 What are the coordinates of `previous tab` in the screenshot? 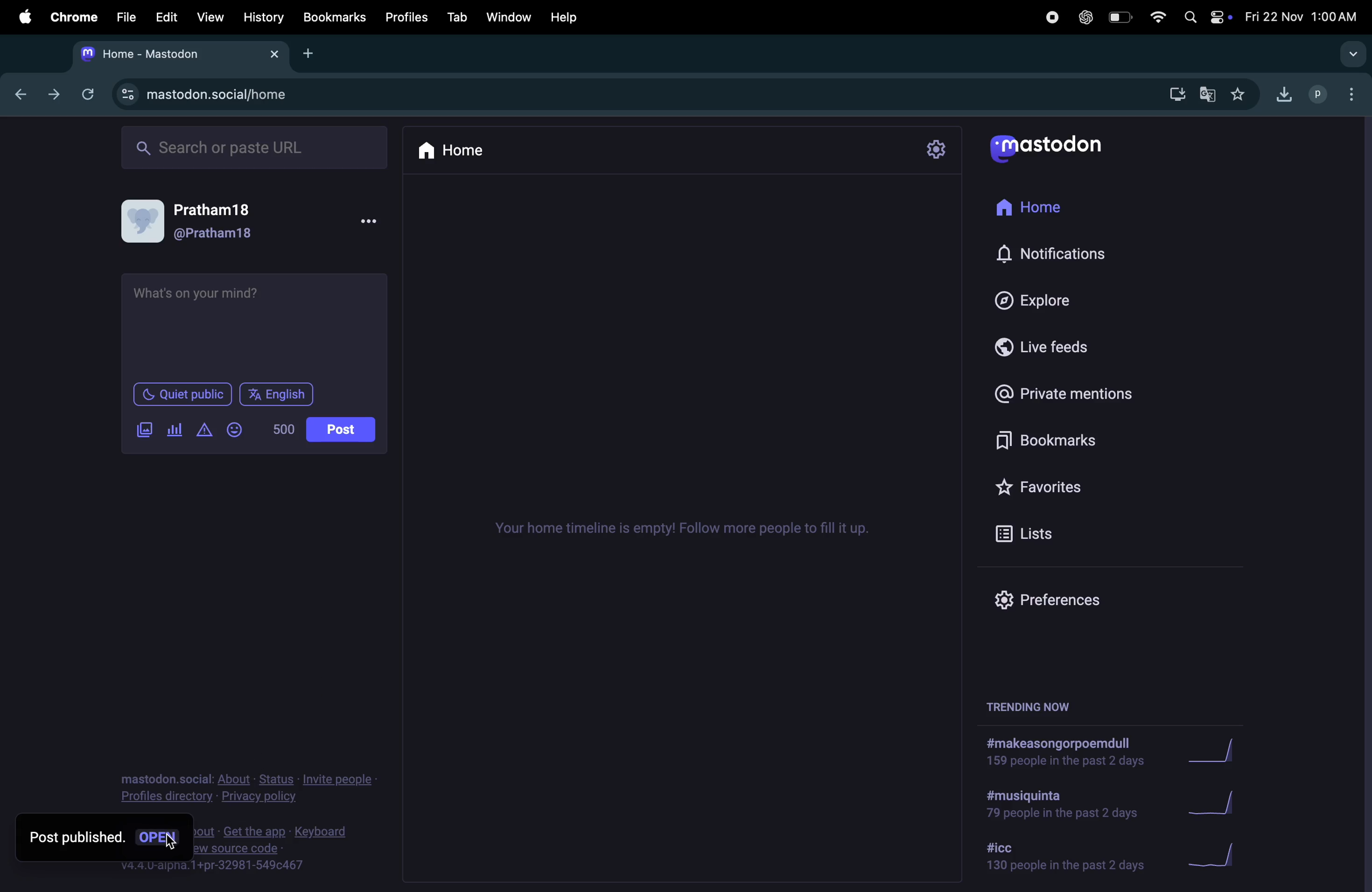 It's located at (22, 96).